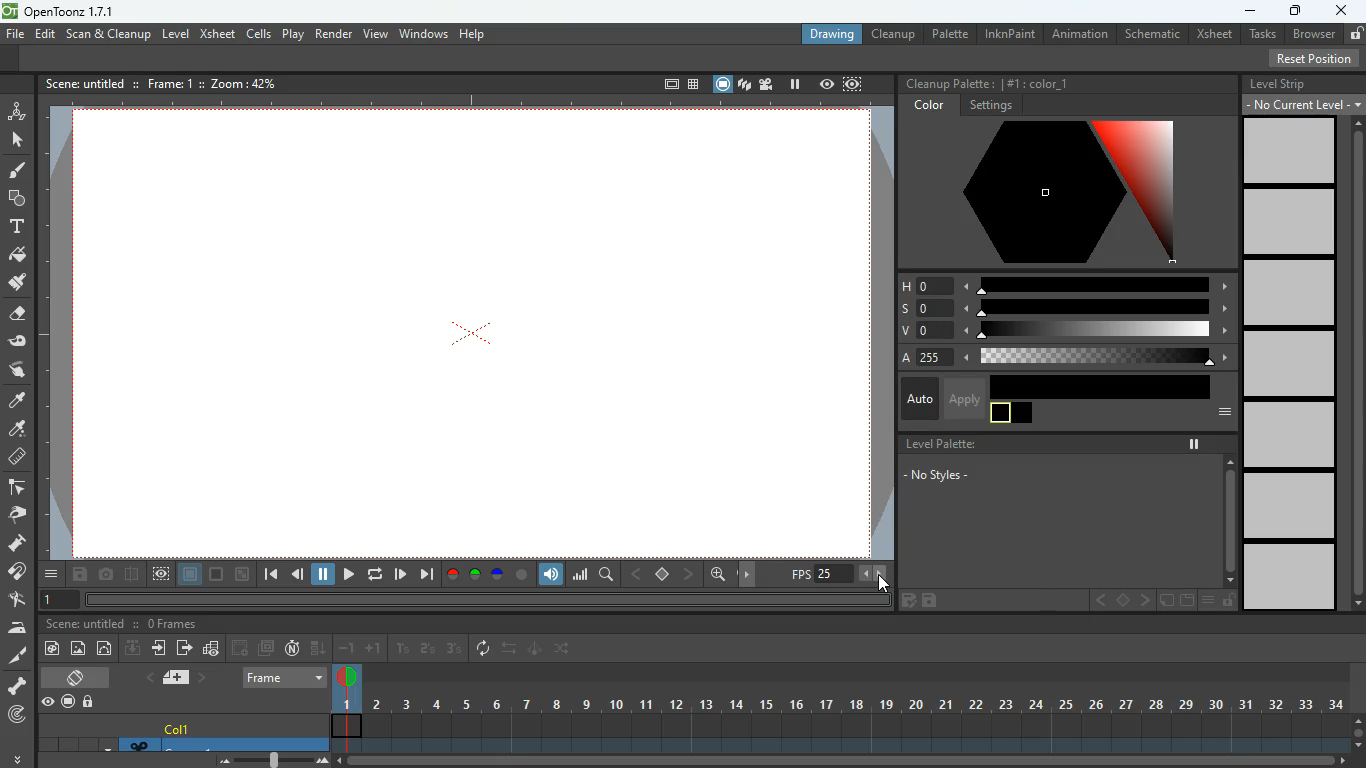 The image size is (1366, 768). What do you see at coordinates (18, 758) in the screenshot?
I see `more` at bounding box center [18, 758].